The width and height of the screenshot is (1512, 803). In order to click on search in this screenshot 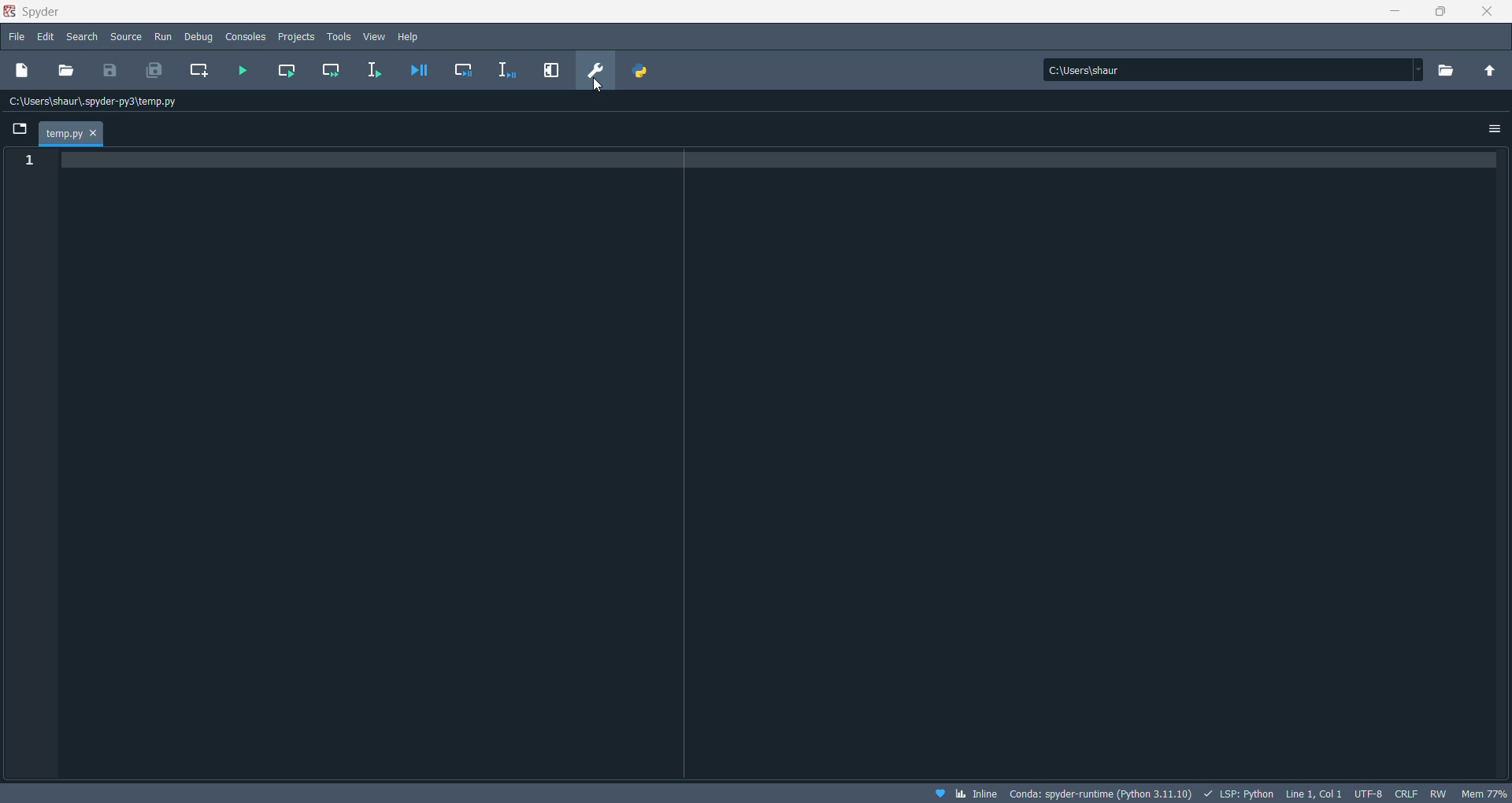, I will do `click(82, 39)`.